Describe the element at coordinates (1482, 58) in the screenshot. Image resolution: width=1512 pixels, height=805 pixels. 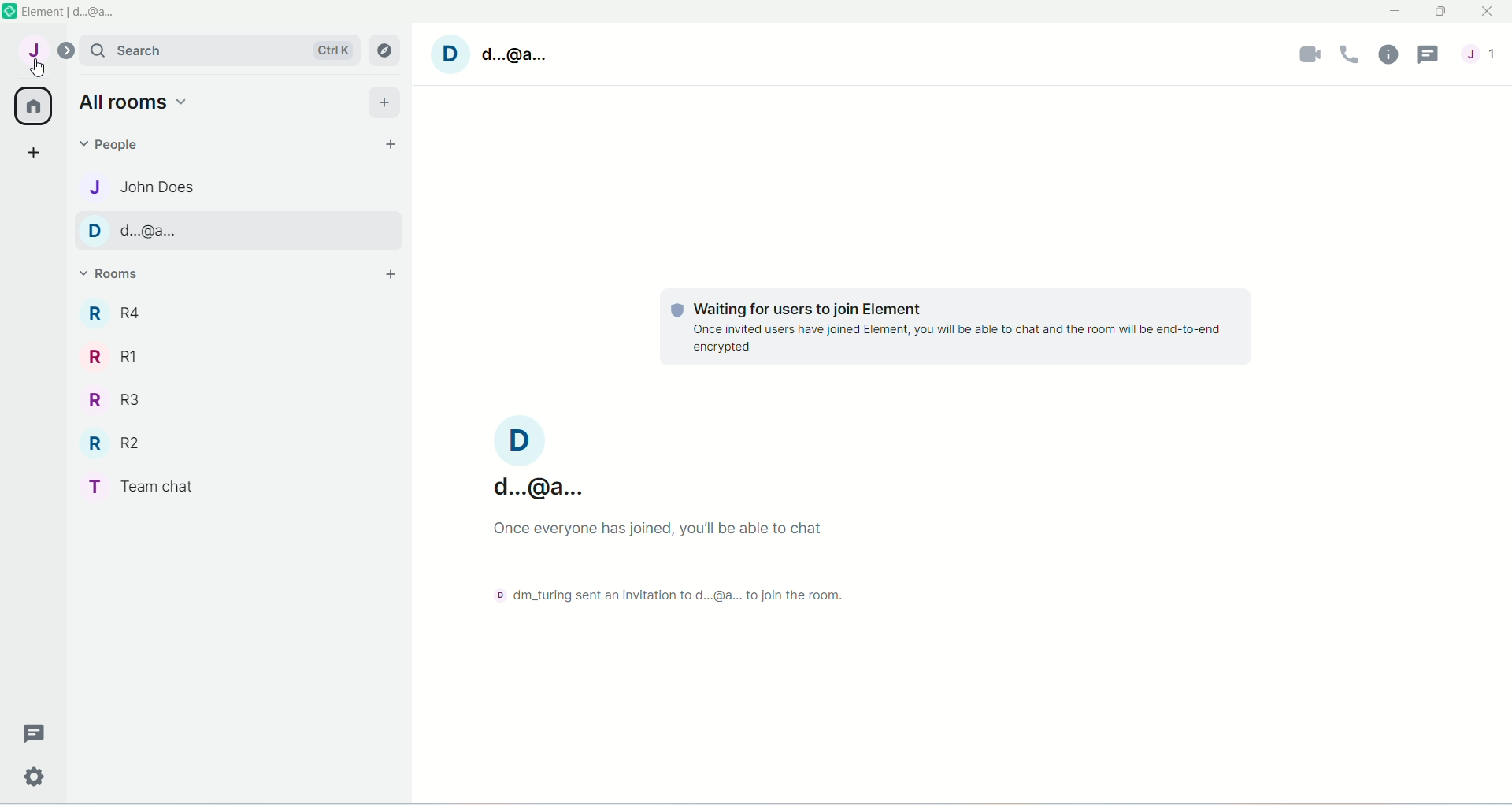
I see `People` at that location.